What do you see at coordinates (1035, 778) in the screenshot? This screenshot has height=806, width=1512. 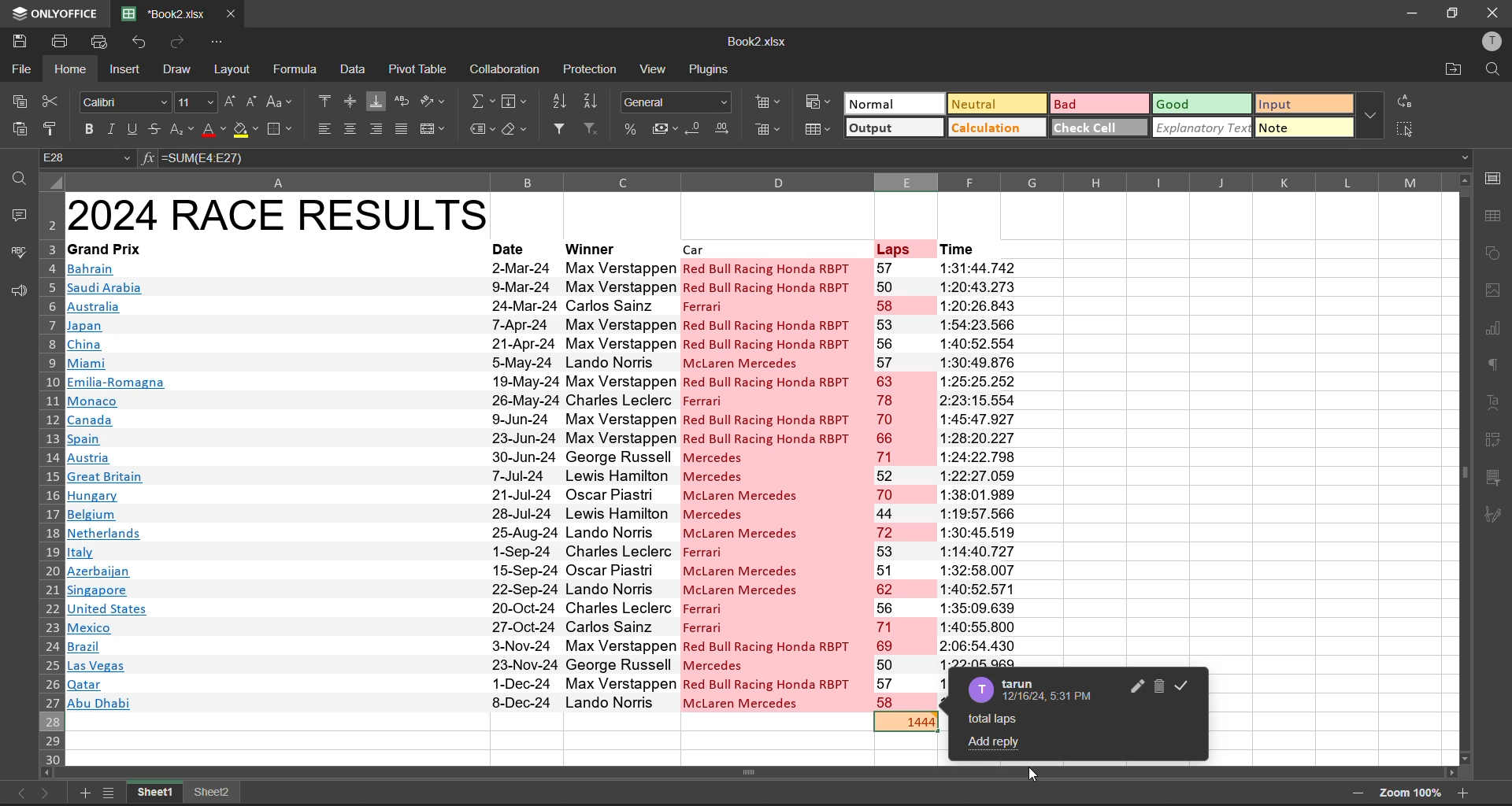 I see `cursor` at bounding box center [1035, 778].